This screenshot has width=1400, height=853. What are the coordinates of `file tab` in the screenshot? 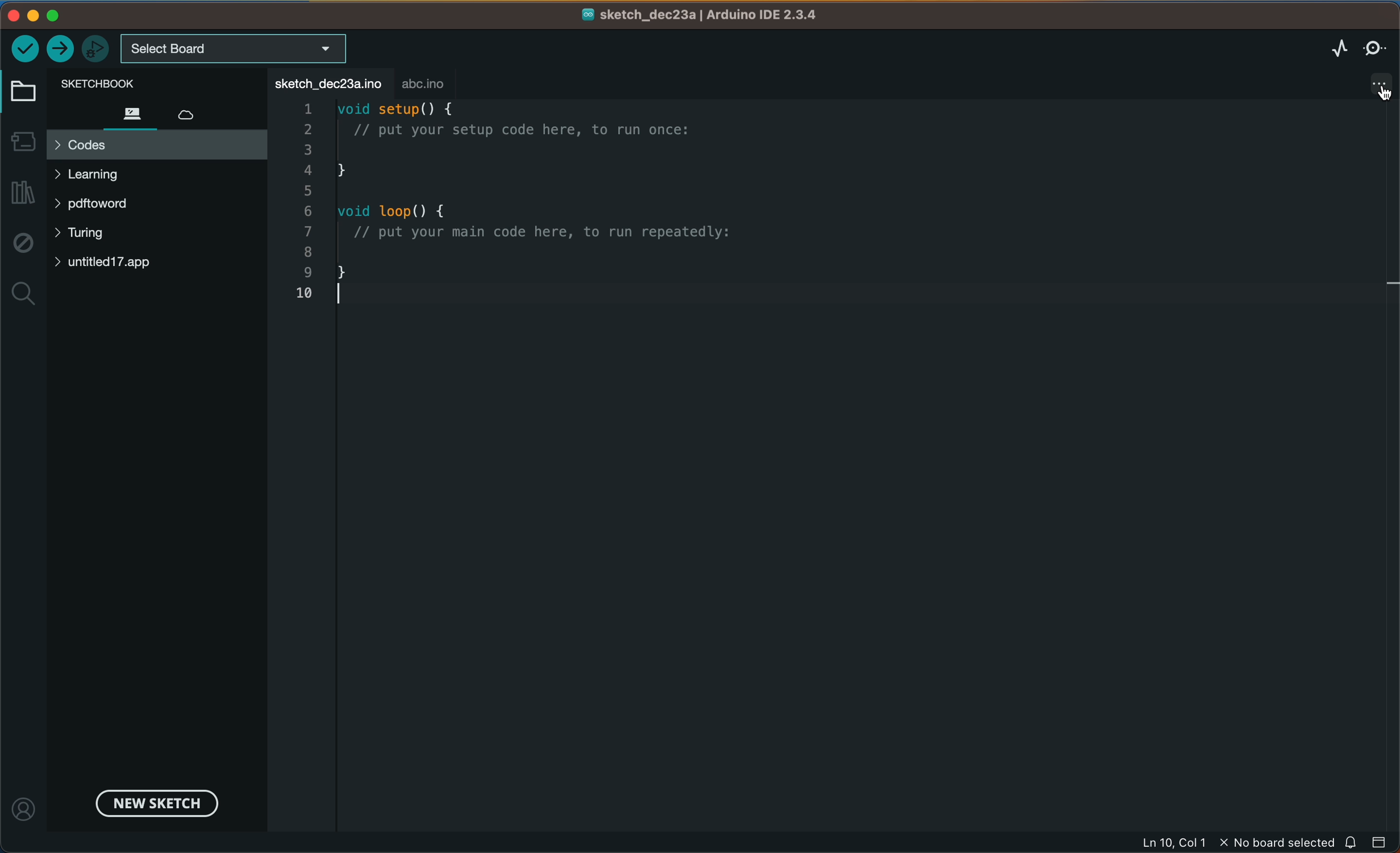 It's located at (326, 81).